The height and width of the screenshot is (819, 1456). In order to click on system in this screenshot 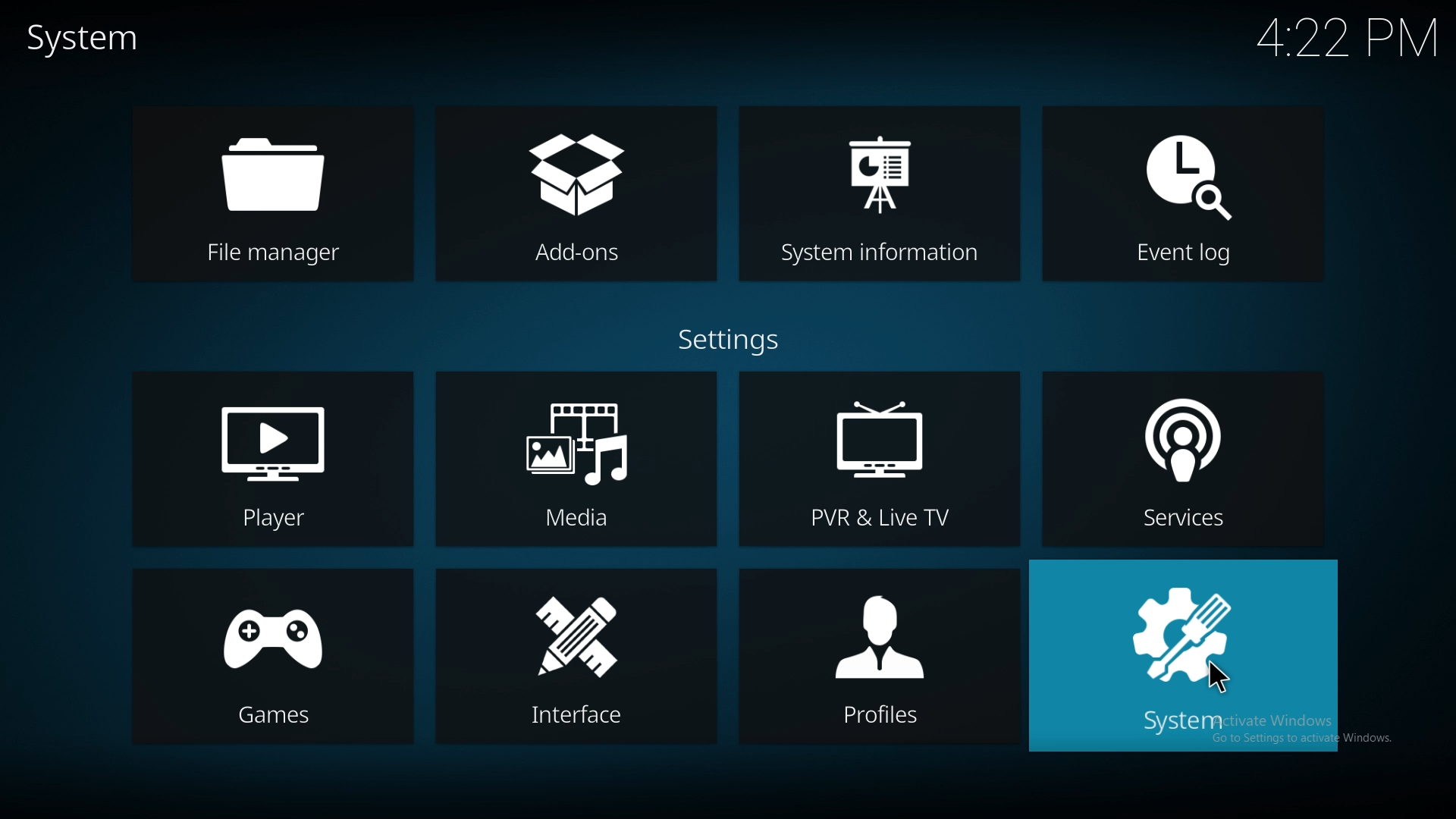, I will do `click(1181, 654)`.